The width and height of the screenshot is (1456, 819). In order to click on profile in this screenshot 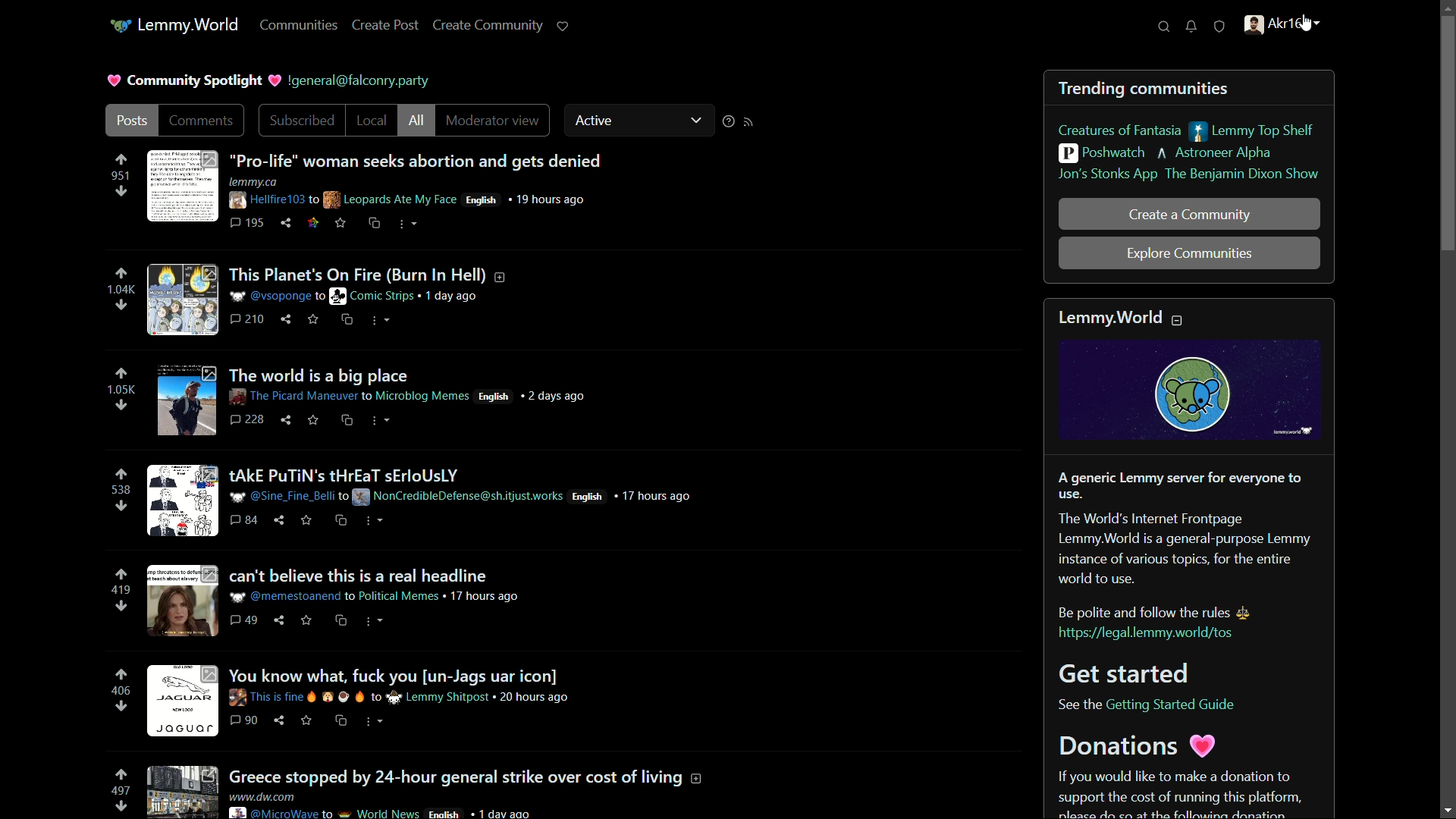, I will do `click(1282, 27)`.